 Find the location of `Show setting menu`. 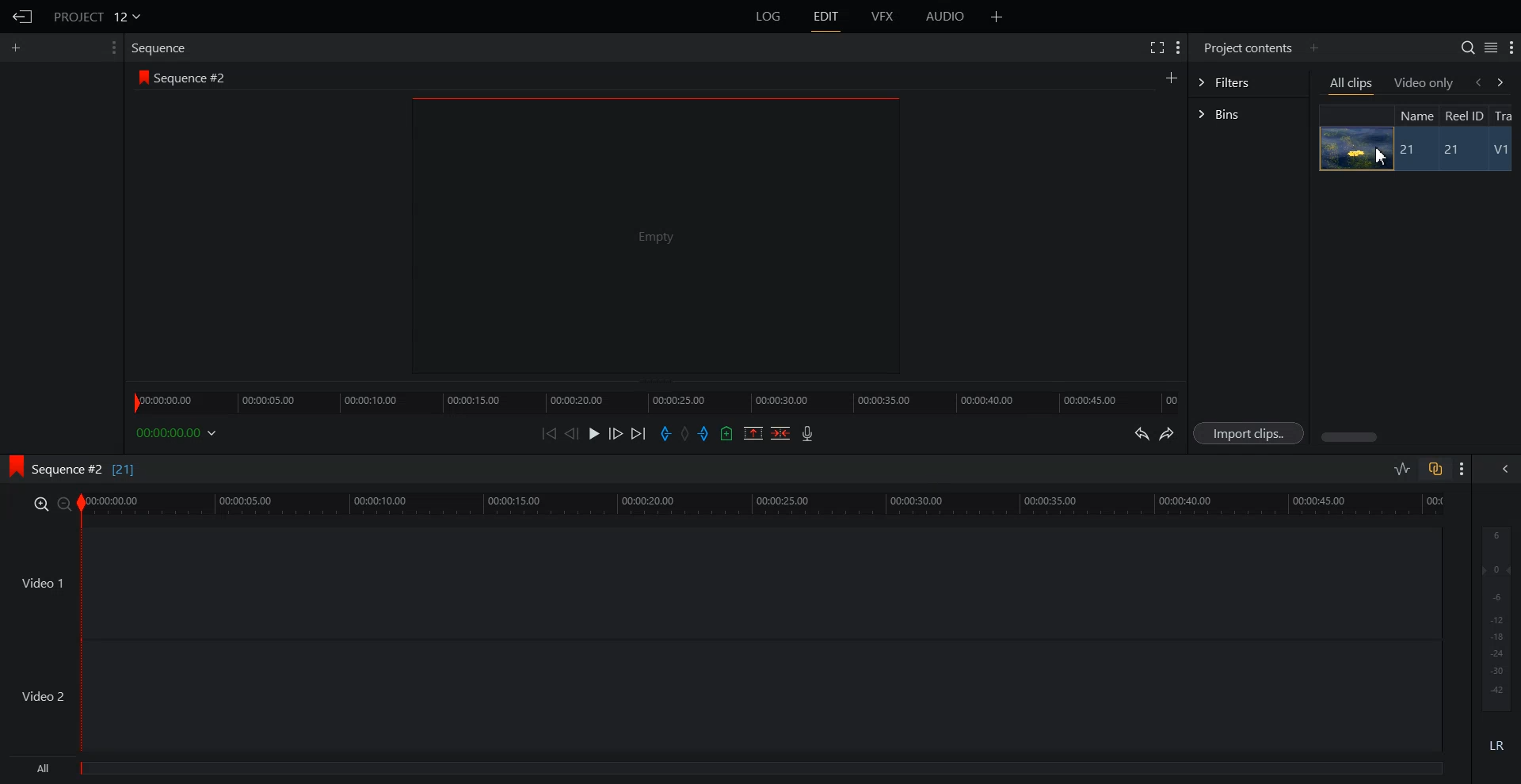

Show setting menu is located at coordinates (1511, 48).